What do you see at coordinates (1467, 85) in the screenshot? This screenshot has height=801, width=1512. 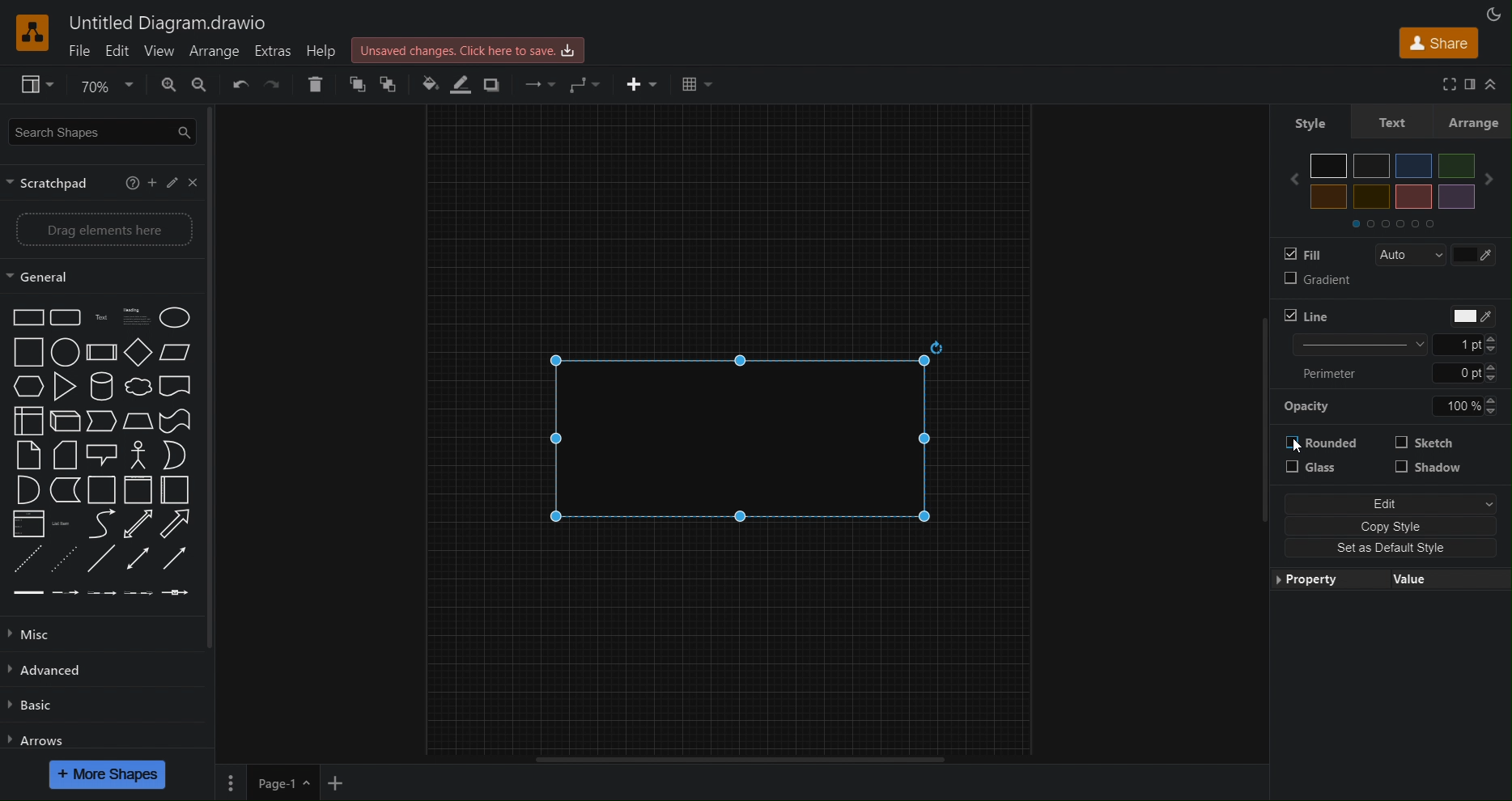 I see `Format` at bounding box center [1467, 85].